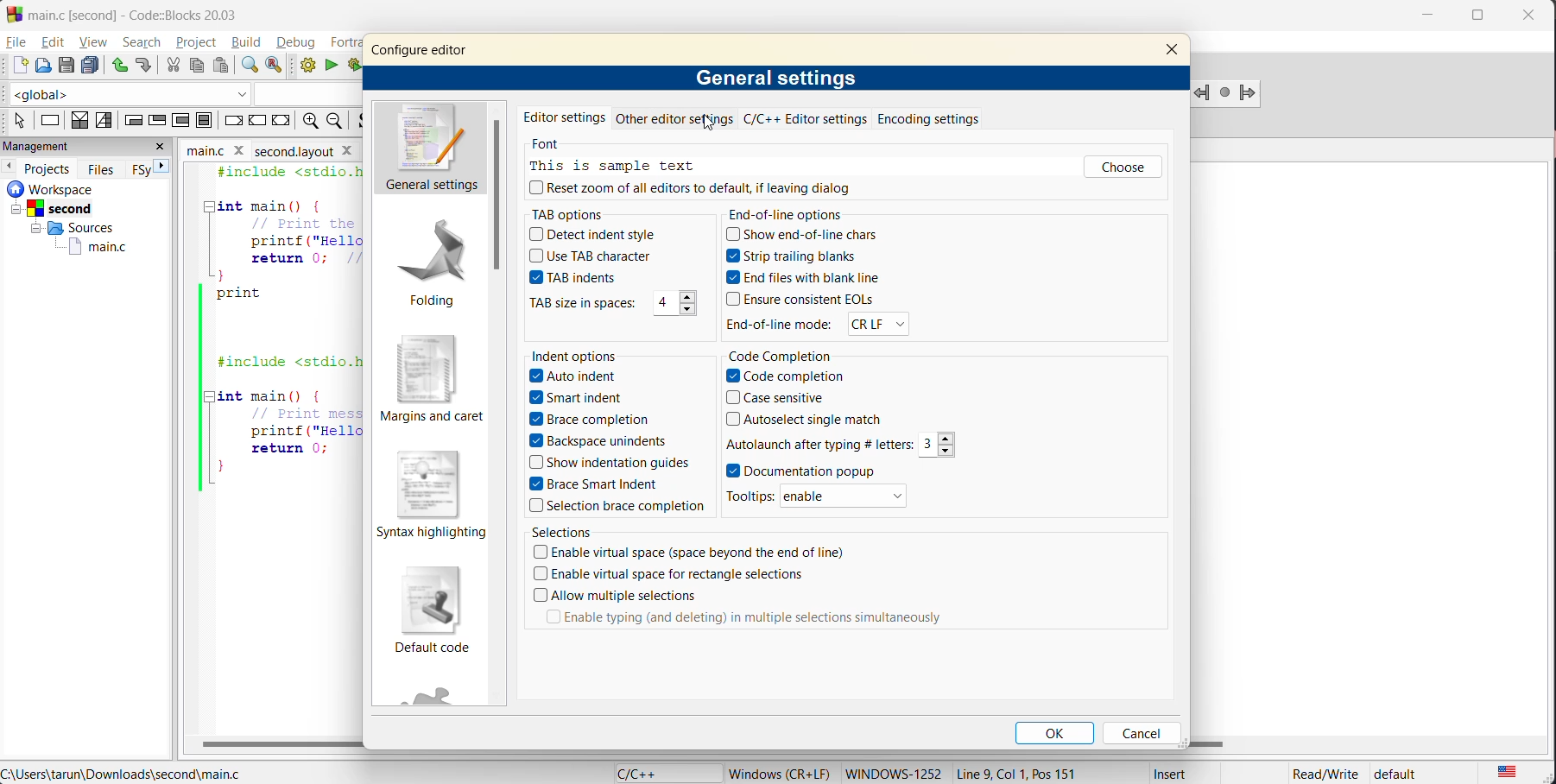 The image size is (1556, 784). I want to click on paste, so click(220, 67).